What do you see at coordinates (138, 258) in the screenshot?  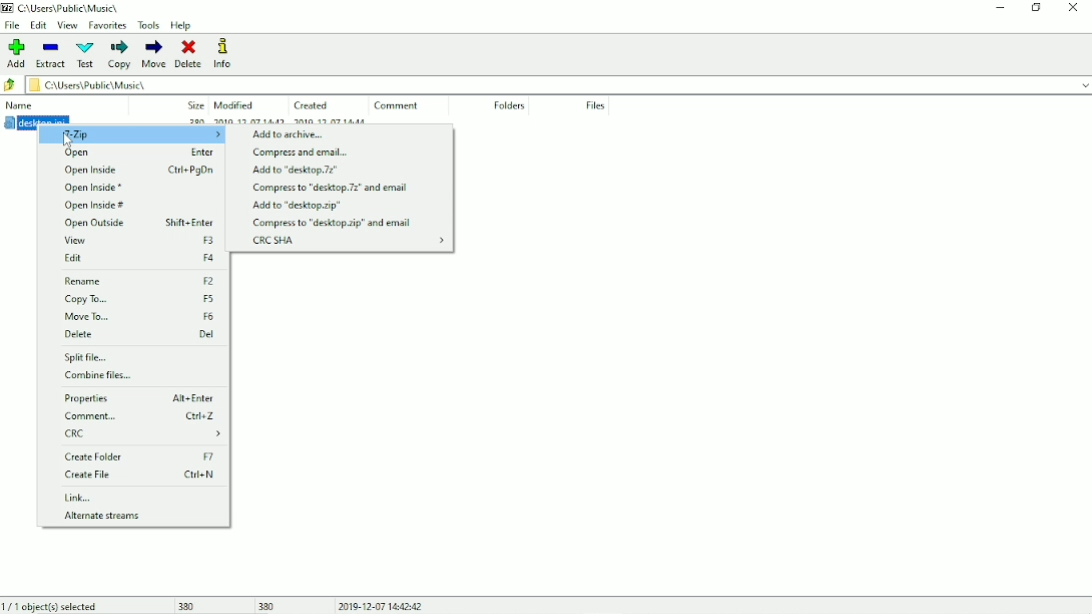 I see `Edit` at bounding box center [138, 258].